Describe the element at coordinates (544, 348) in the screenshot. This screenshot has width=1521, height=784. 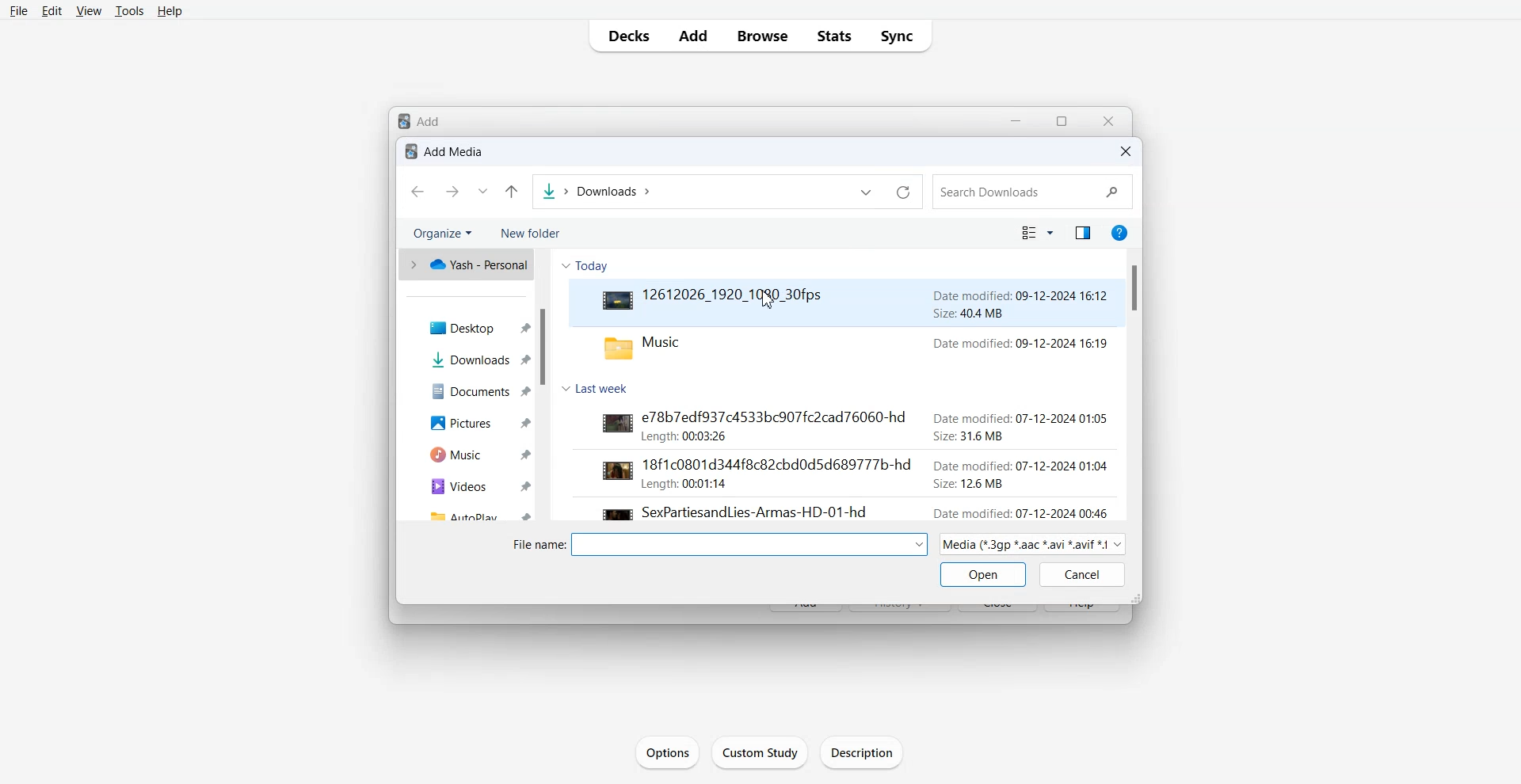
I see `Vertical Scroll bar` at that location.